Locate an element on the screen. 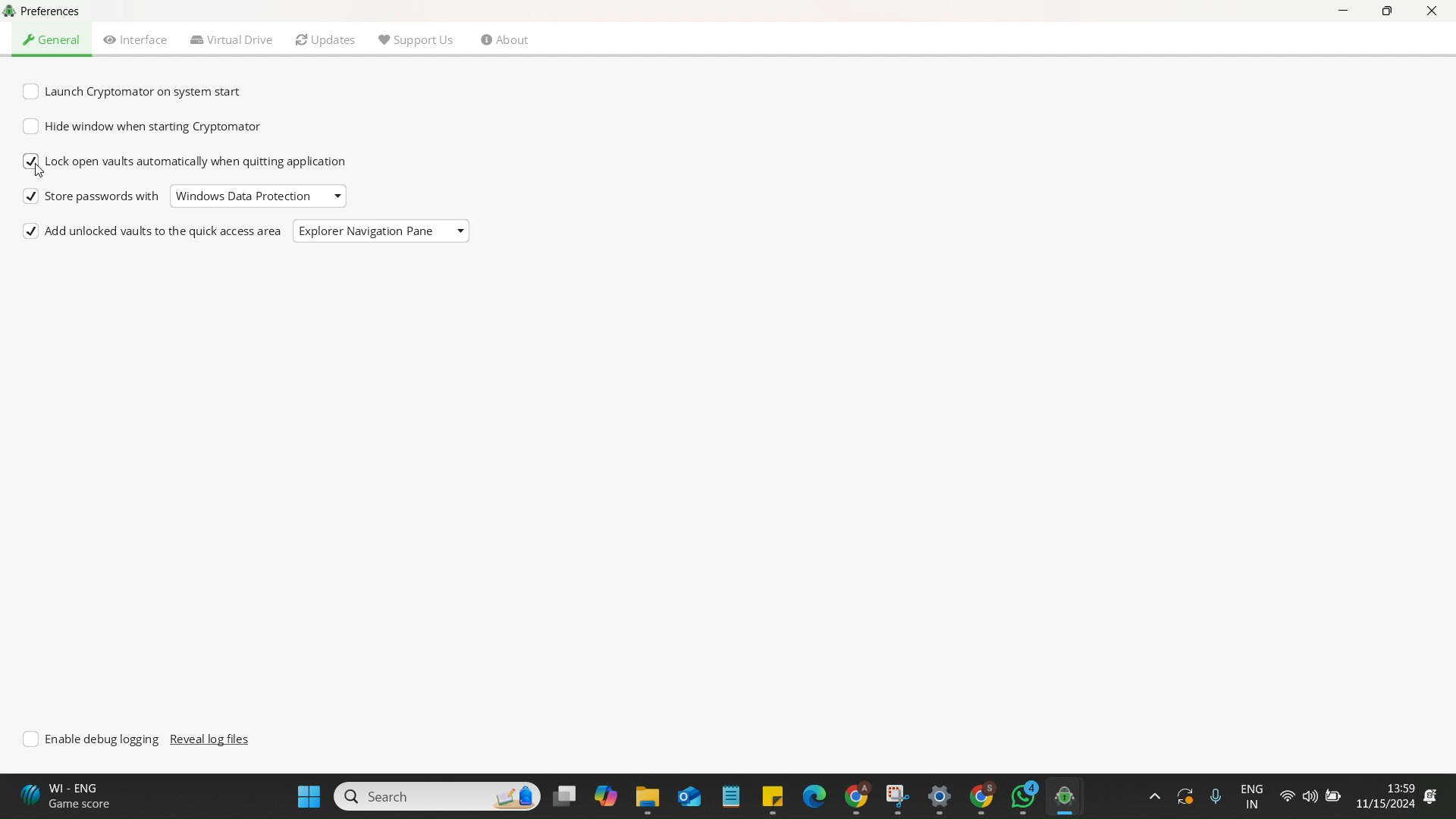  Virtual Drive is located at coordinates (232, 39).